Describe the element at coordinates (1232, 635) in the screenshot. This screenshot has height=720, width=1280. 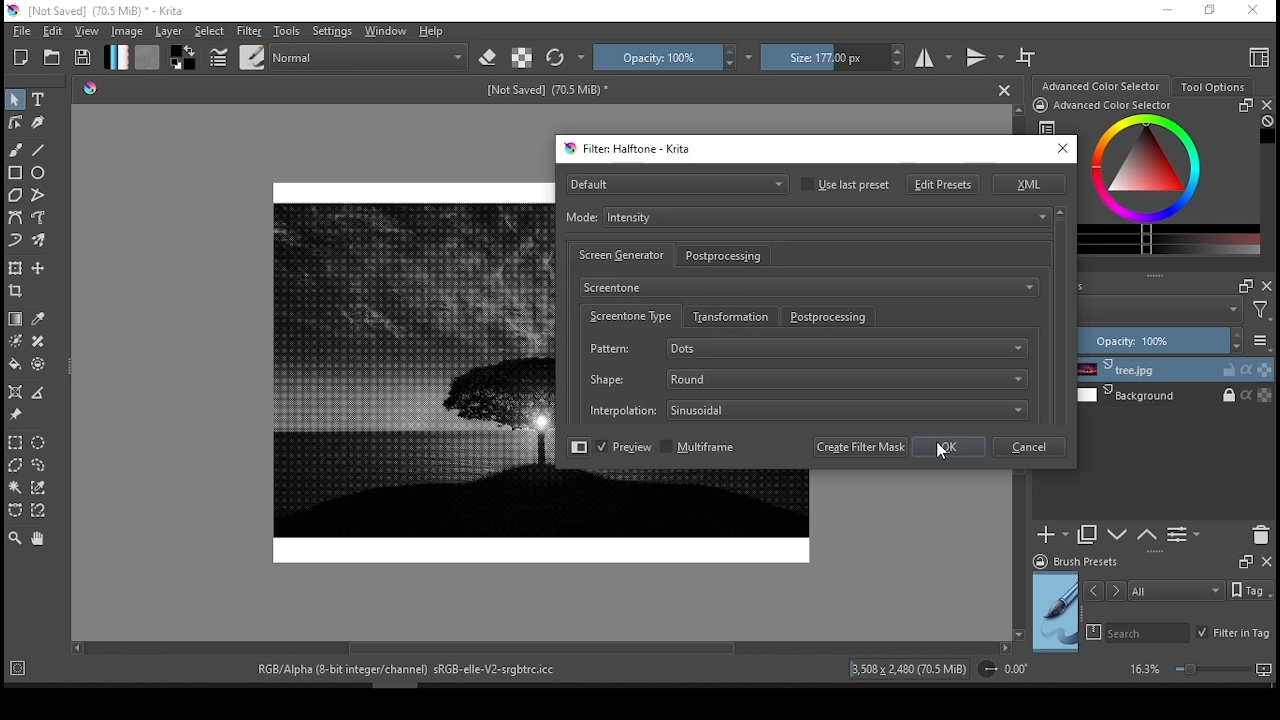
I see `filter in tag on/off` at that location.